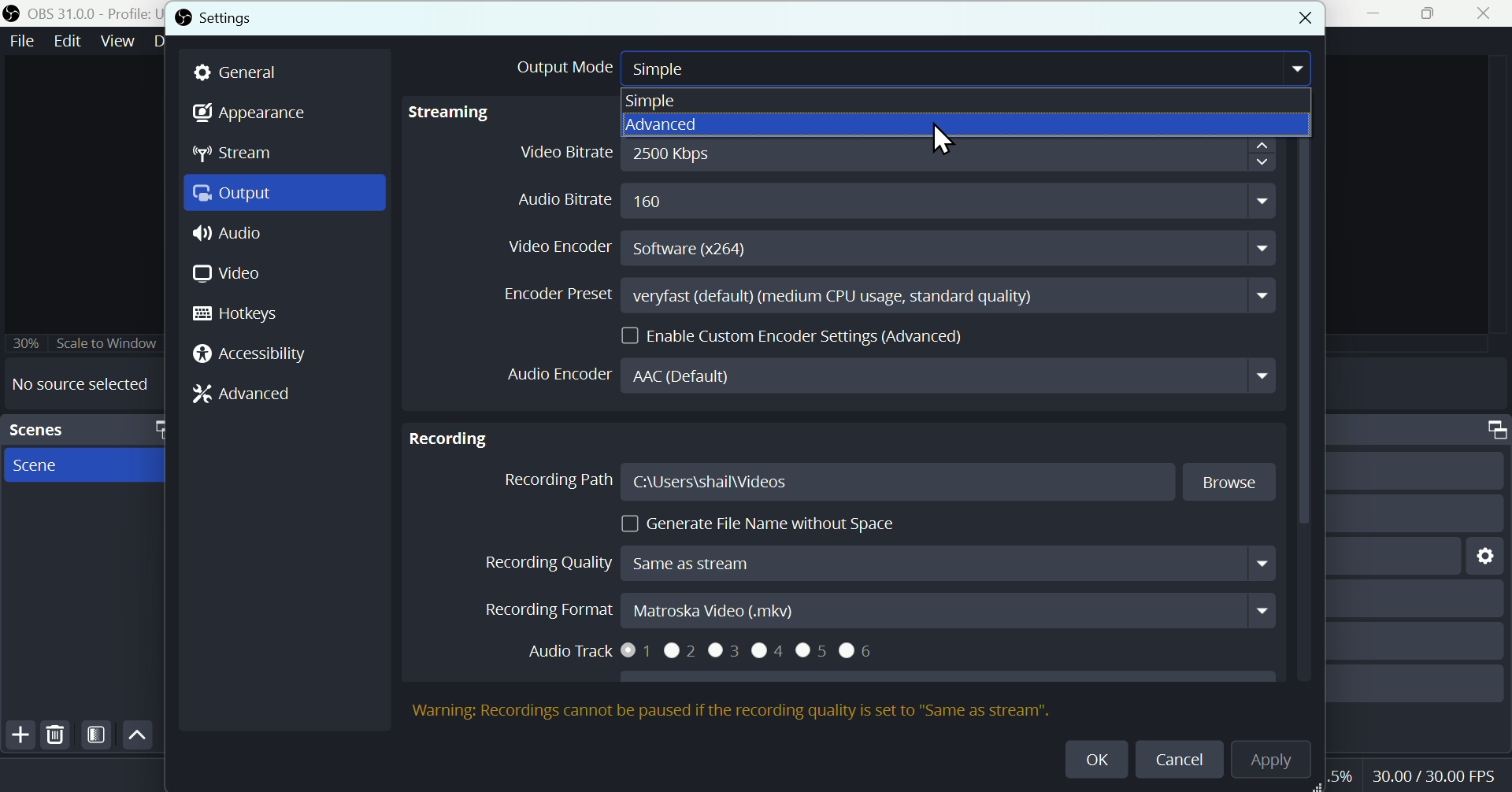 This screenshot has width=1512, height=792. Describe the element at coordinates (57, 734) in the screenshot. I see `Delete` at that location.